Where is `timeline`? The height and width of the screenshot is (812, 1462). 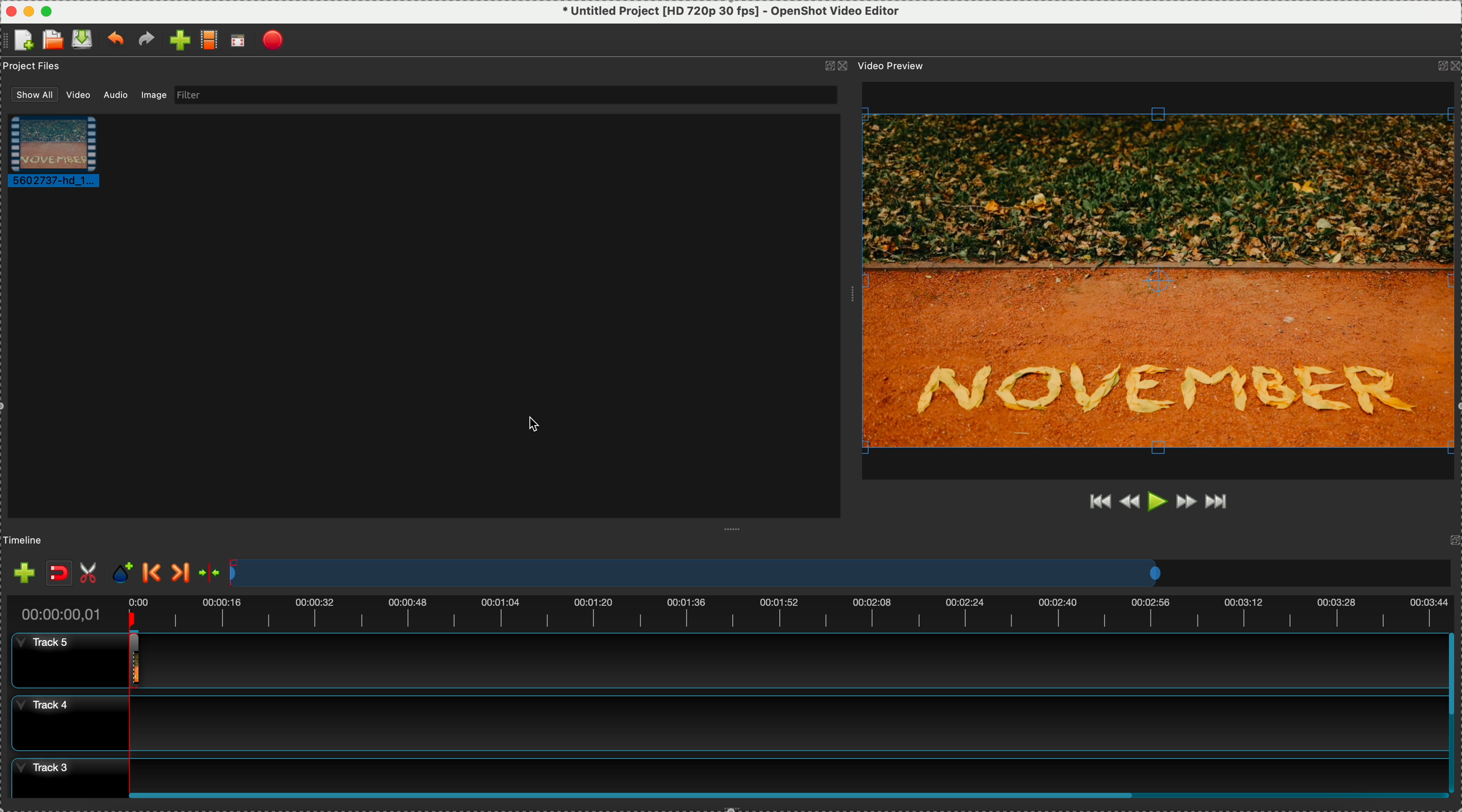 timeline is located at coordinates (27, 539).